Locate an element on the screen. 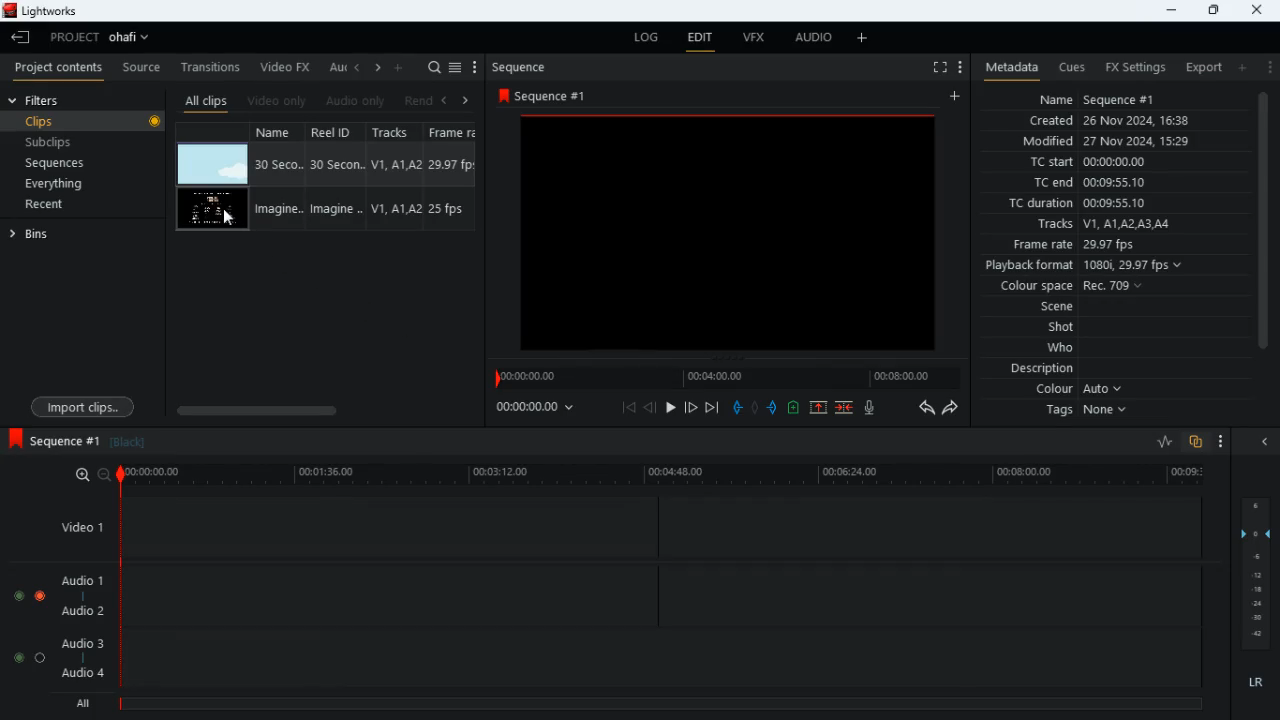 Image resolution: width=1280 pixels, height=720 pixels. 29.97 fps is located at coordinates (456, 165).